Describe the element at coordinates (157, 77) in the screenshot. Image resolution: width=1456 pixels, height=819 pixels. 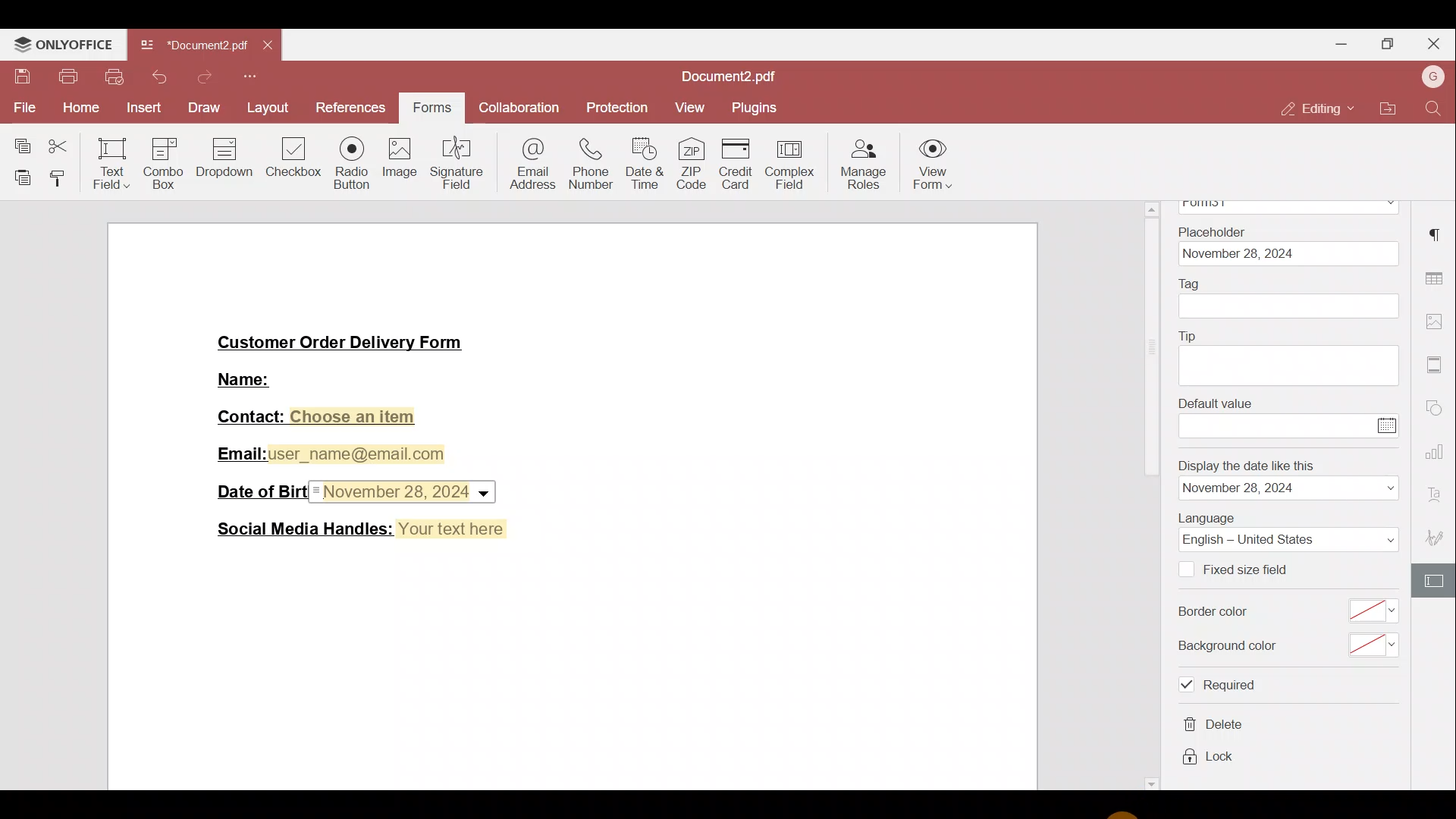
I see `Undo` at that location.